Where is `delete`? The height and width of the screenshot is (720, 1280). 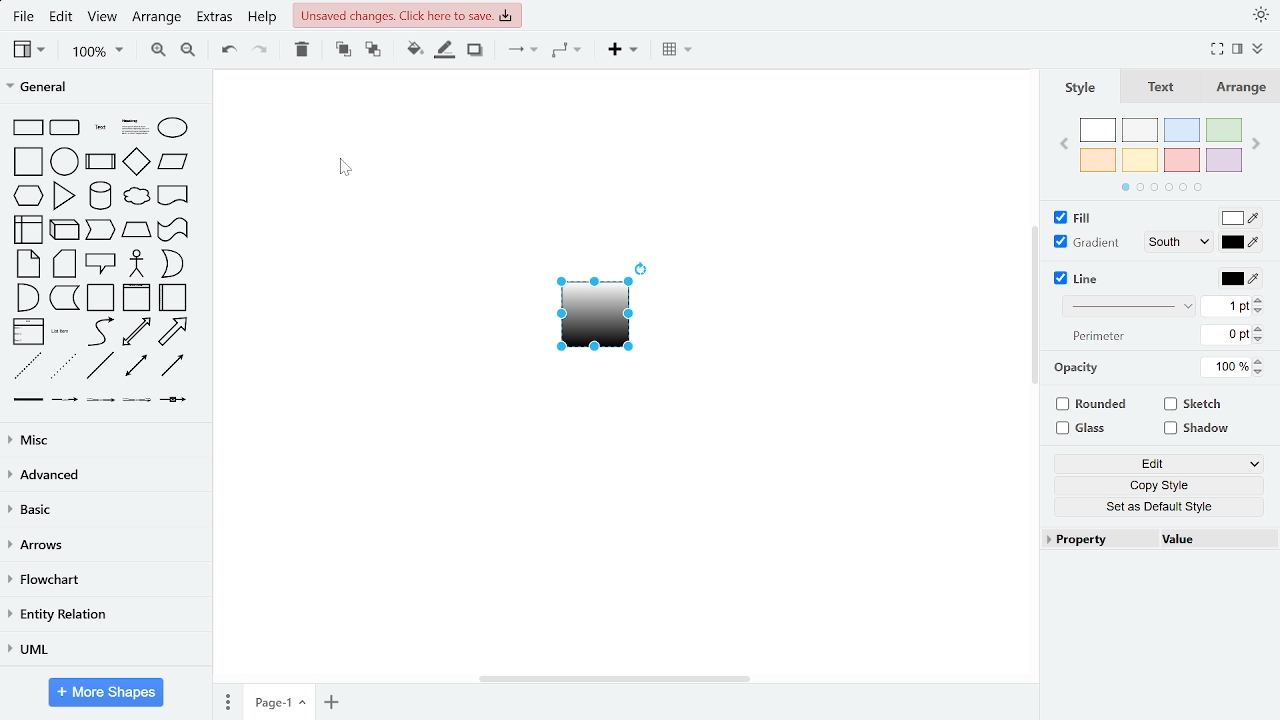
delete is located at coordinates (302, 51).